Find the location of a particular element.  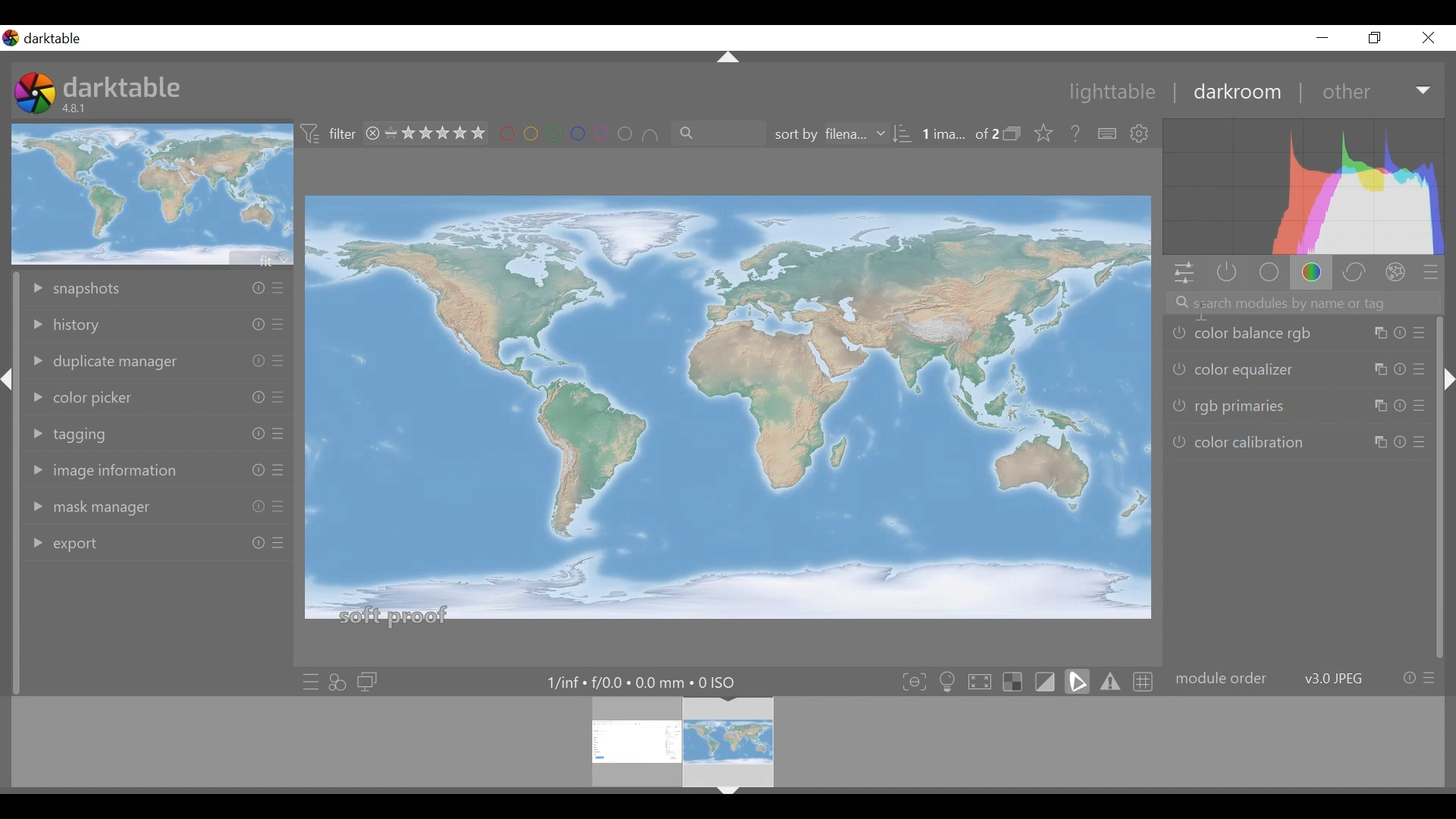

display a second darkroom image is located at coordinates (370, 682).